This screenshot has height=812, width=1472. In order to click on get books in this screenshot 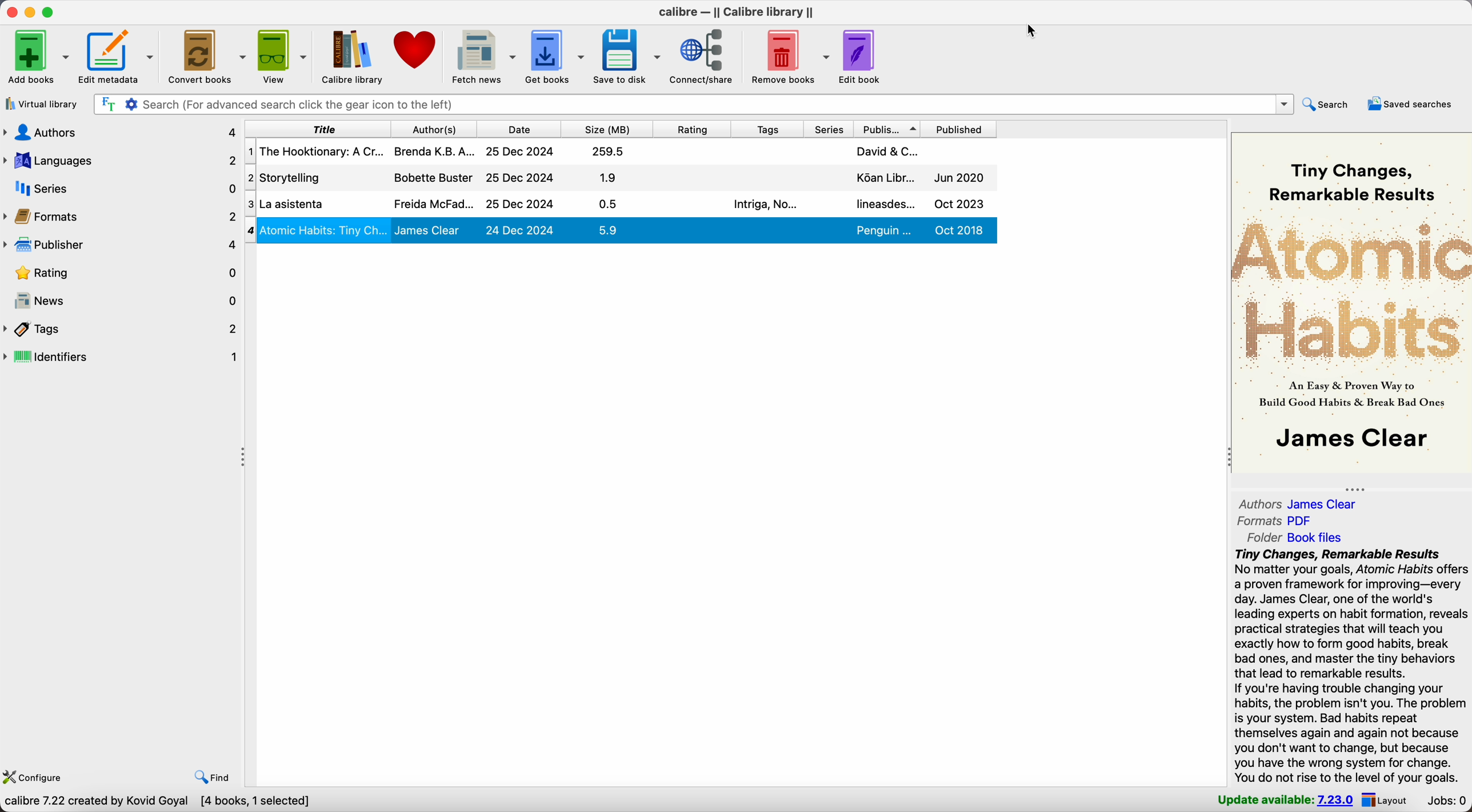, I will do `click(557, 55)`.